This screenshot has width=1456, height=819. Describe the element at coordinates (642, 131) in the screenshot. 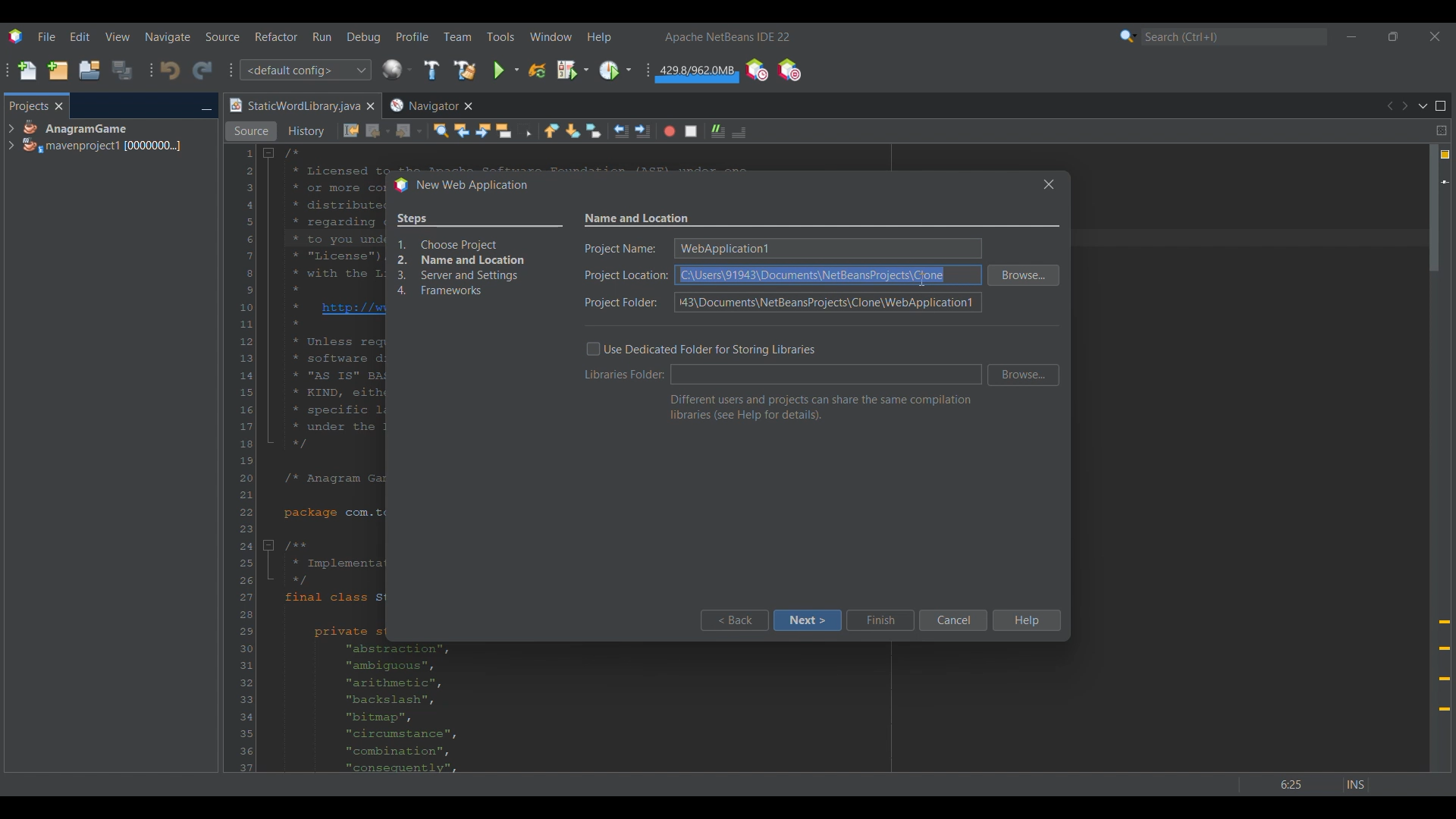

I see `Shift line right` at that location.